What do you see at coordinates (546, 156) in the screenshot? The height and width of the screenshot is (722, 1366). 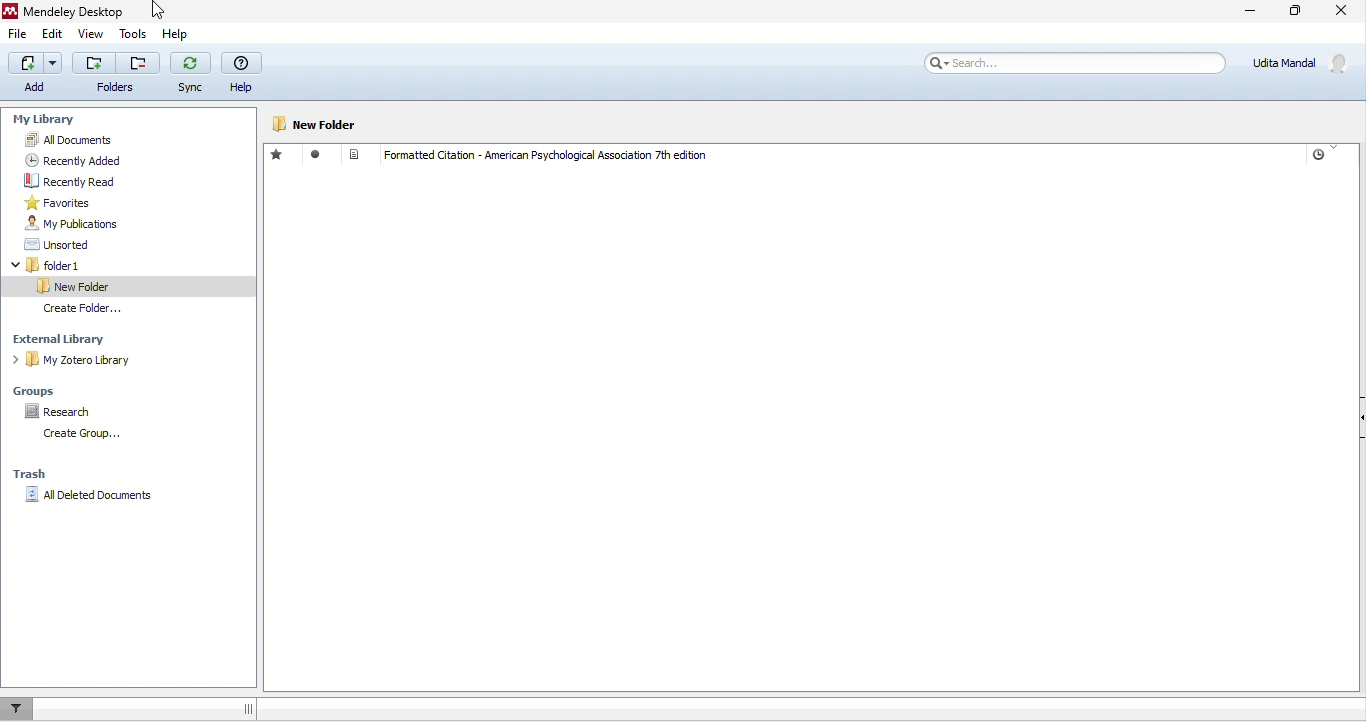 I see `Formatted Citation - American Psychological Association 7th edition` at bounding box center [546, 156].